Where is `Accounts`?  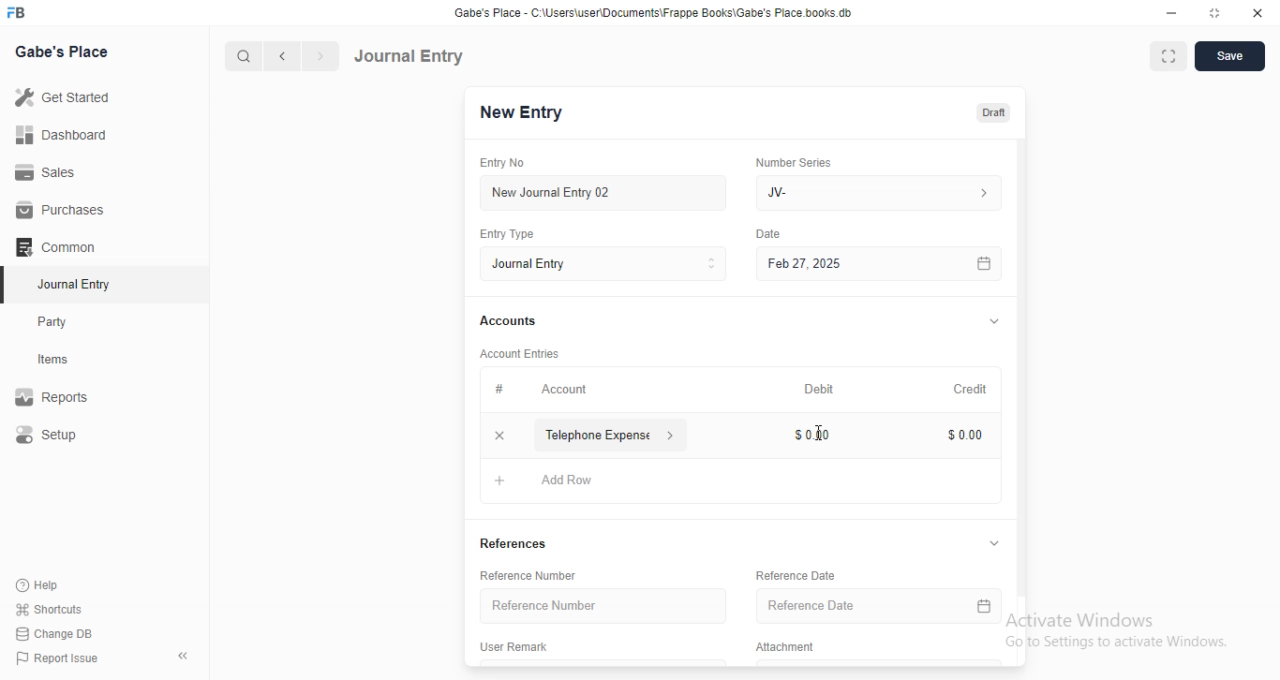
Accounts is located at coordinates (507, 321).